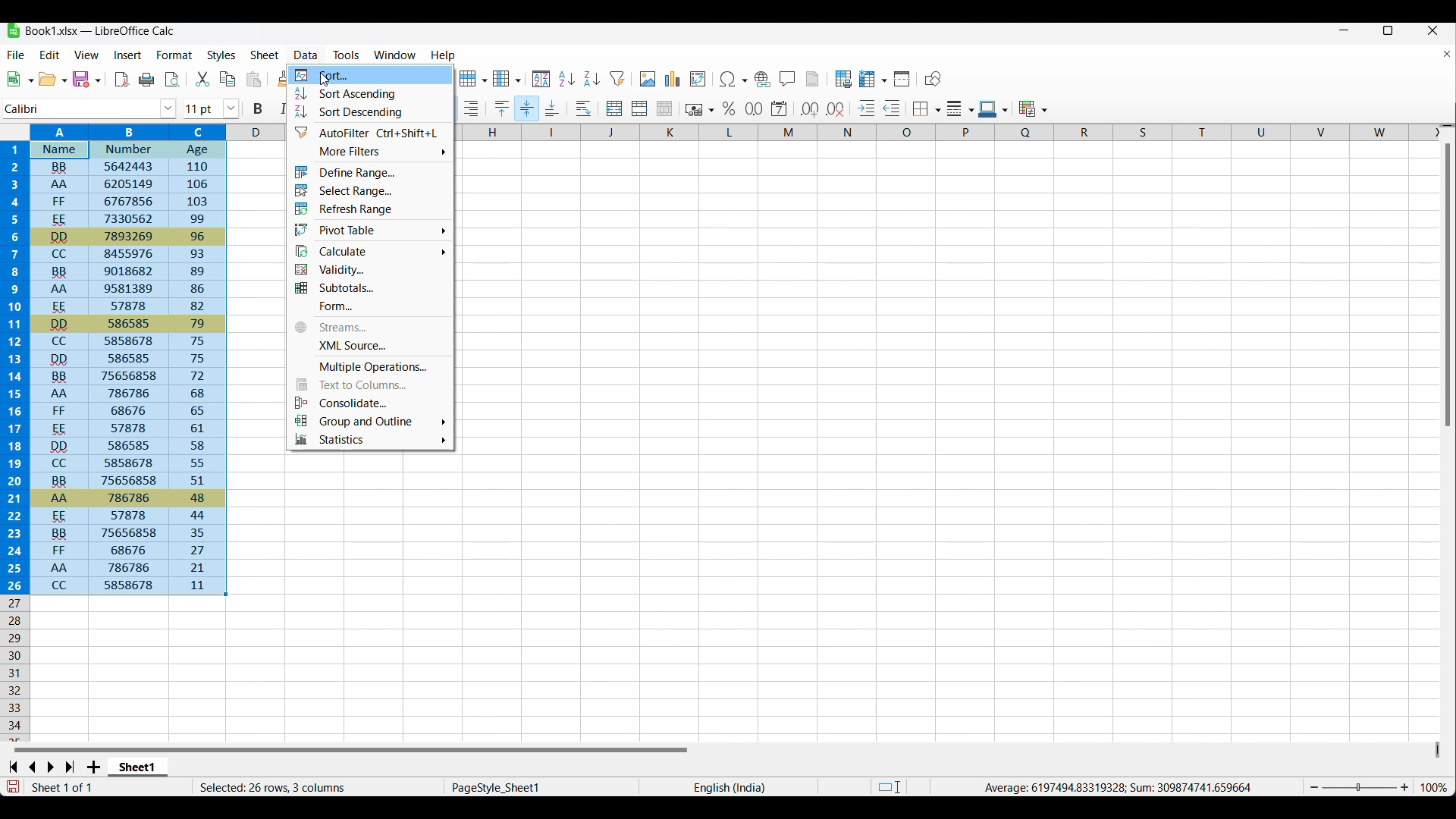 This screenshot has height=819, width=1456. Describe the element at coordinates (472, 78) in the screenshot. I see `Row options` at that location.